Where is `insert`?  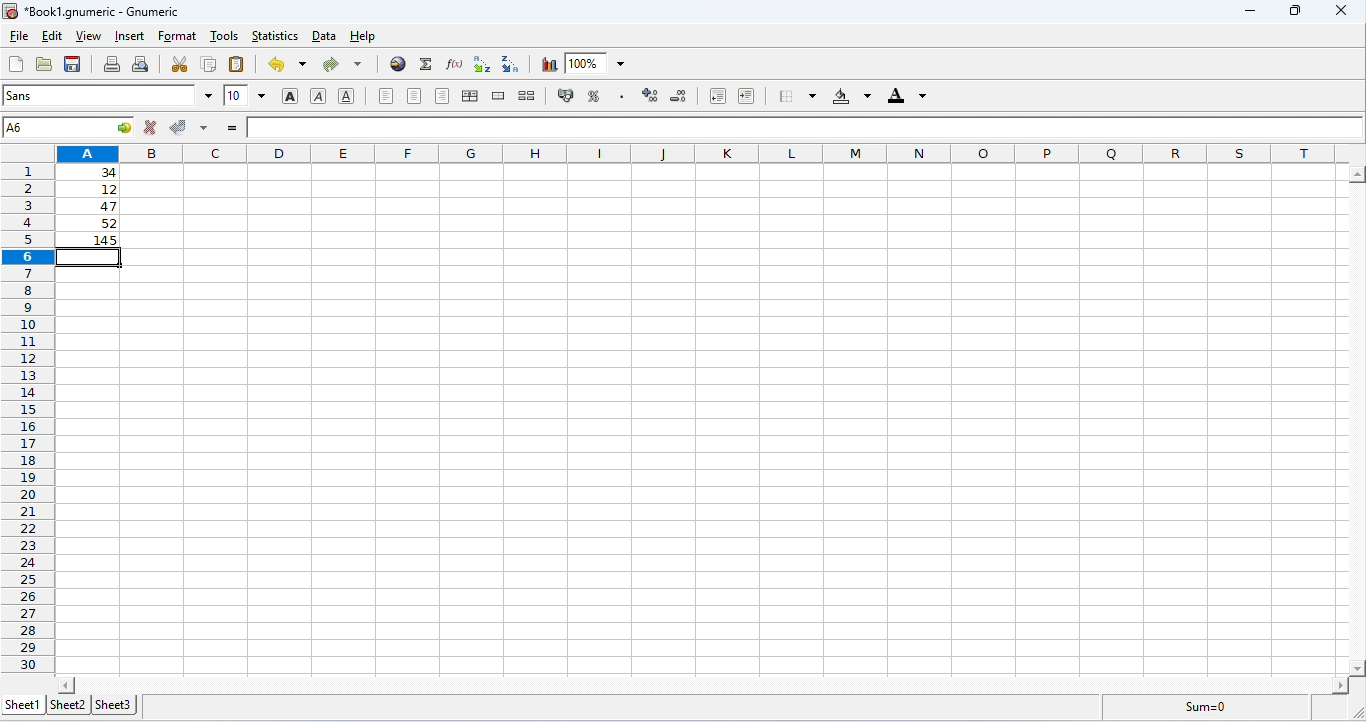
insert is located at coordinates (132, 36).